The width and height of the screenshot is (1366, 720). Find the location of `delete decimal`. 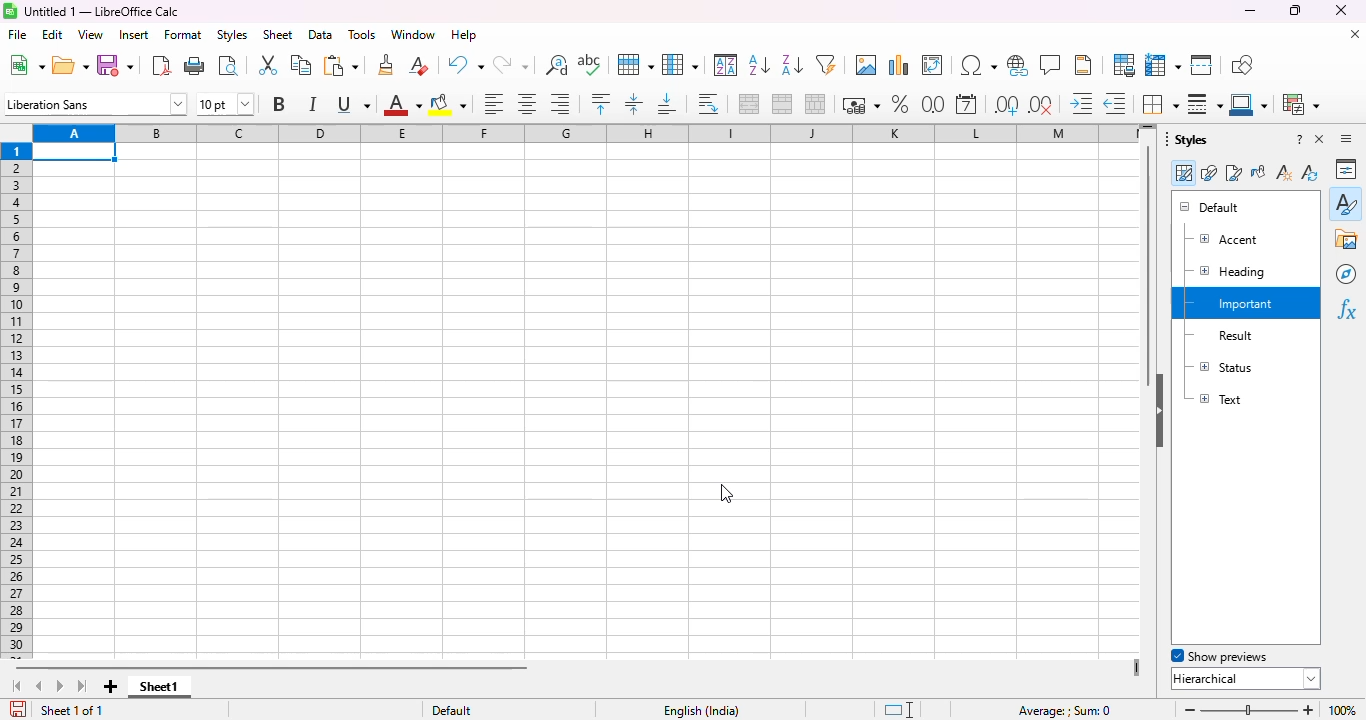

delete decimal is located at coordinates (1042, 105).